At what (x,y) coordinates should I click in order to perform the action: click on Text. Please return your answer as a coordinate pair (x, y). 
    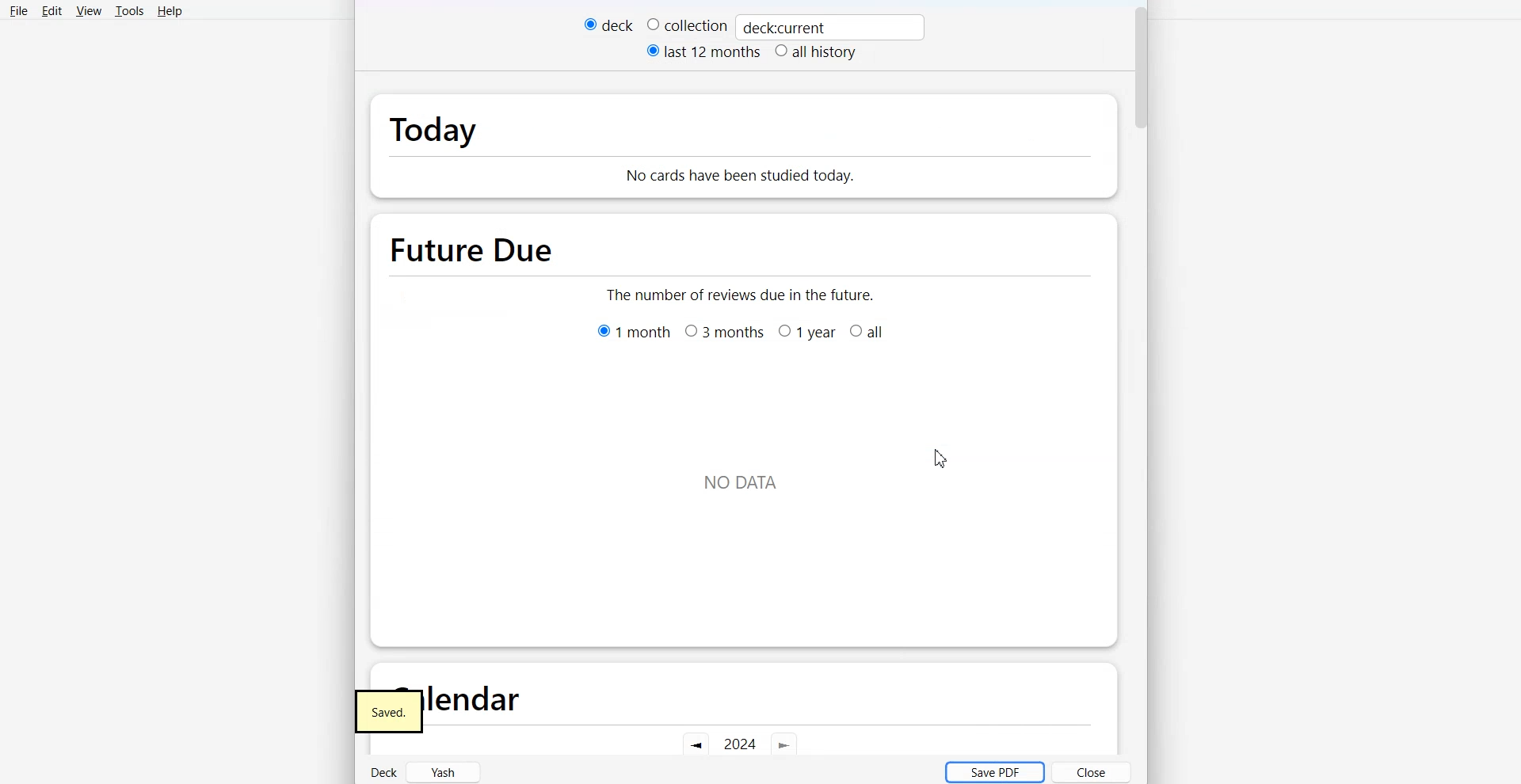
    Looking at the image, I should click on (785, 28).